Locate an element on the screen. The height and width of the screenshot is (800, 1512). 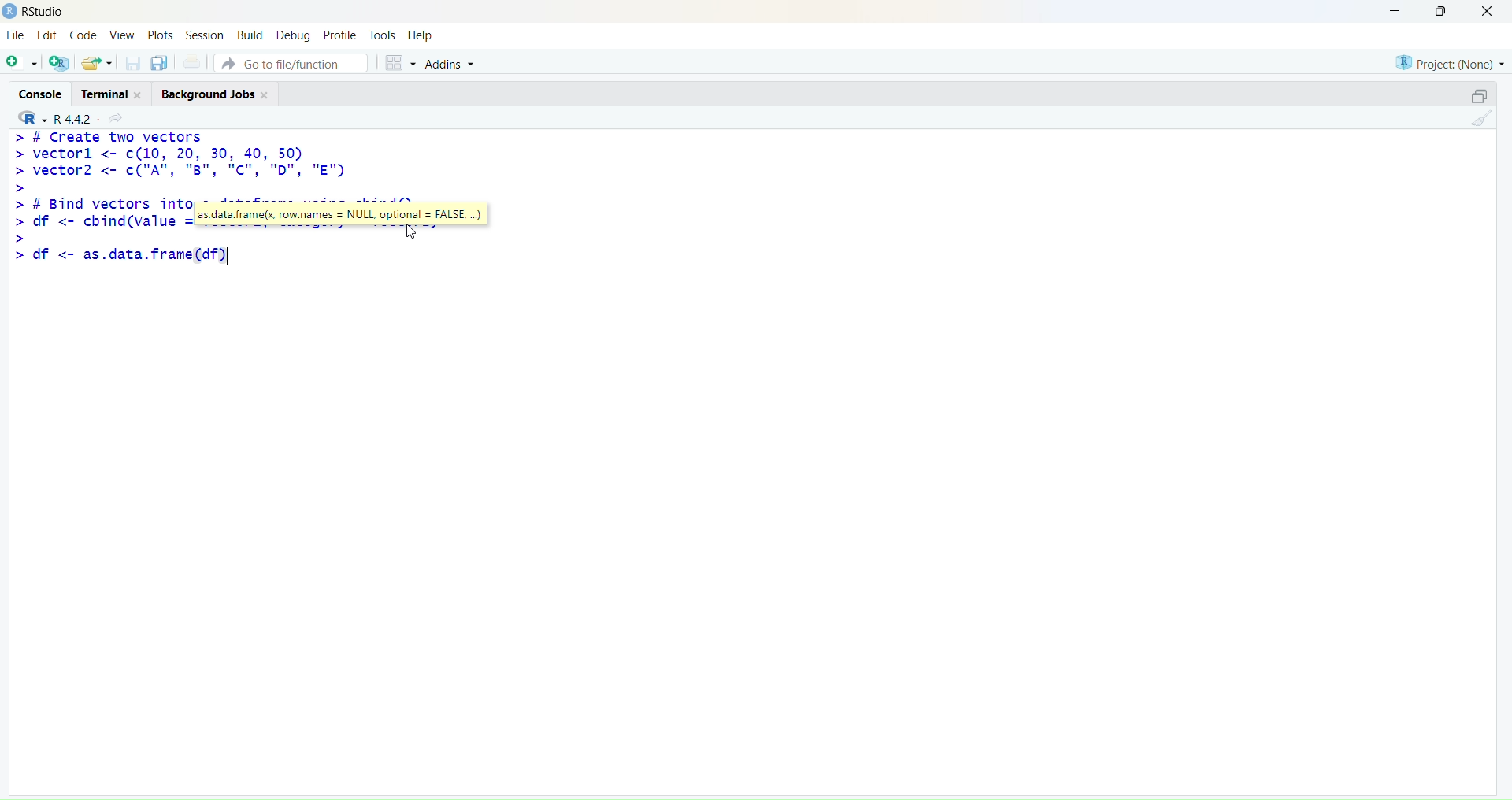
Terminal is located at coordinates (109, 94).